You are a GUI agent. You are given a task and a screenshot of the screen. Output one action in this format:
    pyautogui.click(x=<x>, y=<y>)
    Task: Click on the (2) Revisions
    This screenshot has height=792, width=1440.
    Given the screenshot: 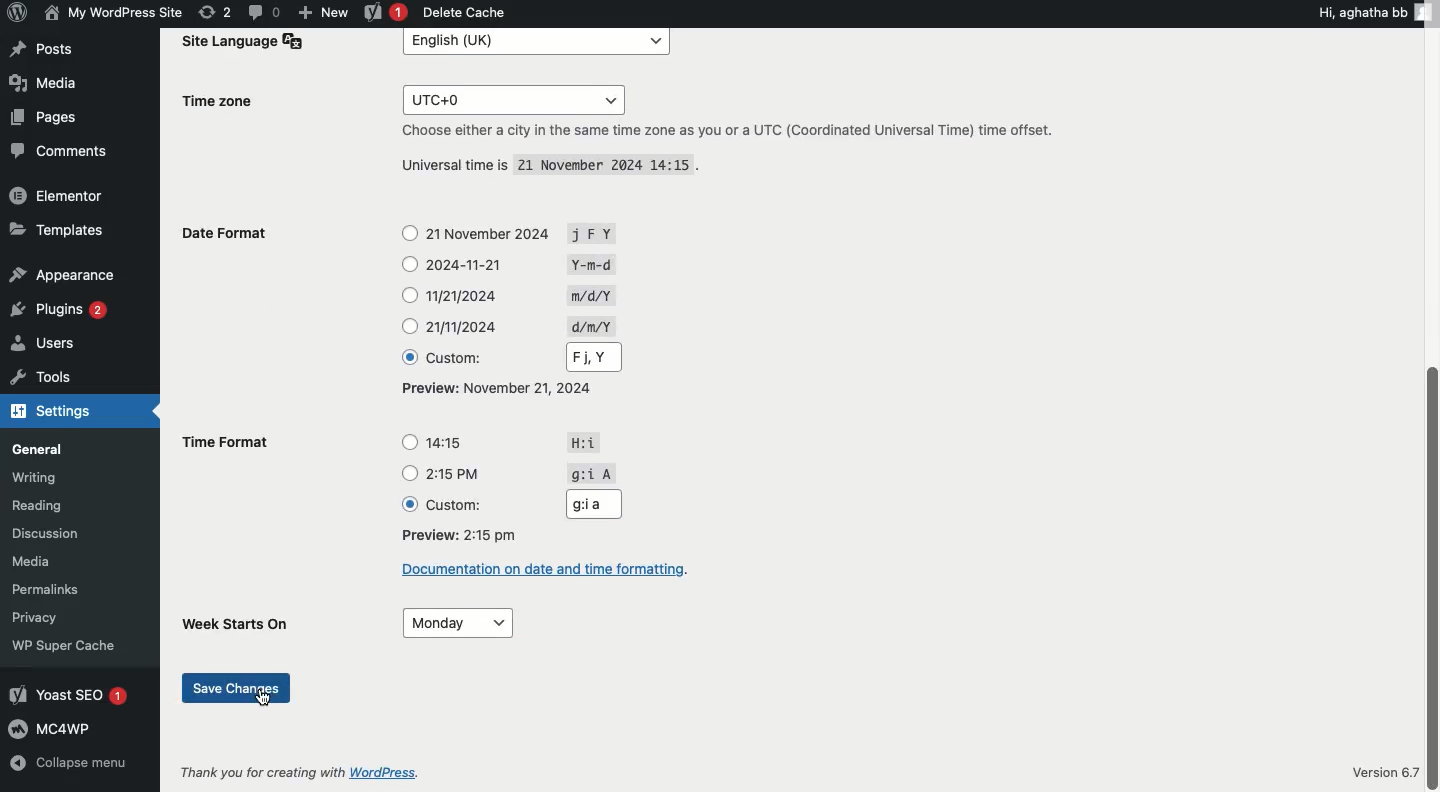 What is the action you would take?
    pyautogui.click(x=212, y=11)
    